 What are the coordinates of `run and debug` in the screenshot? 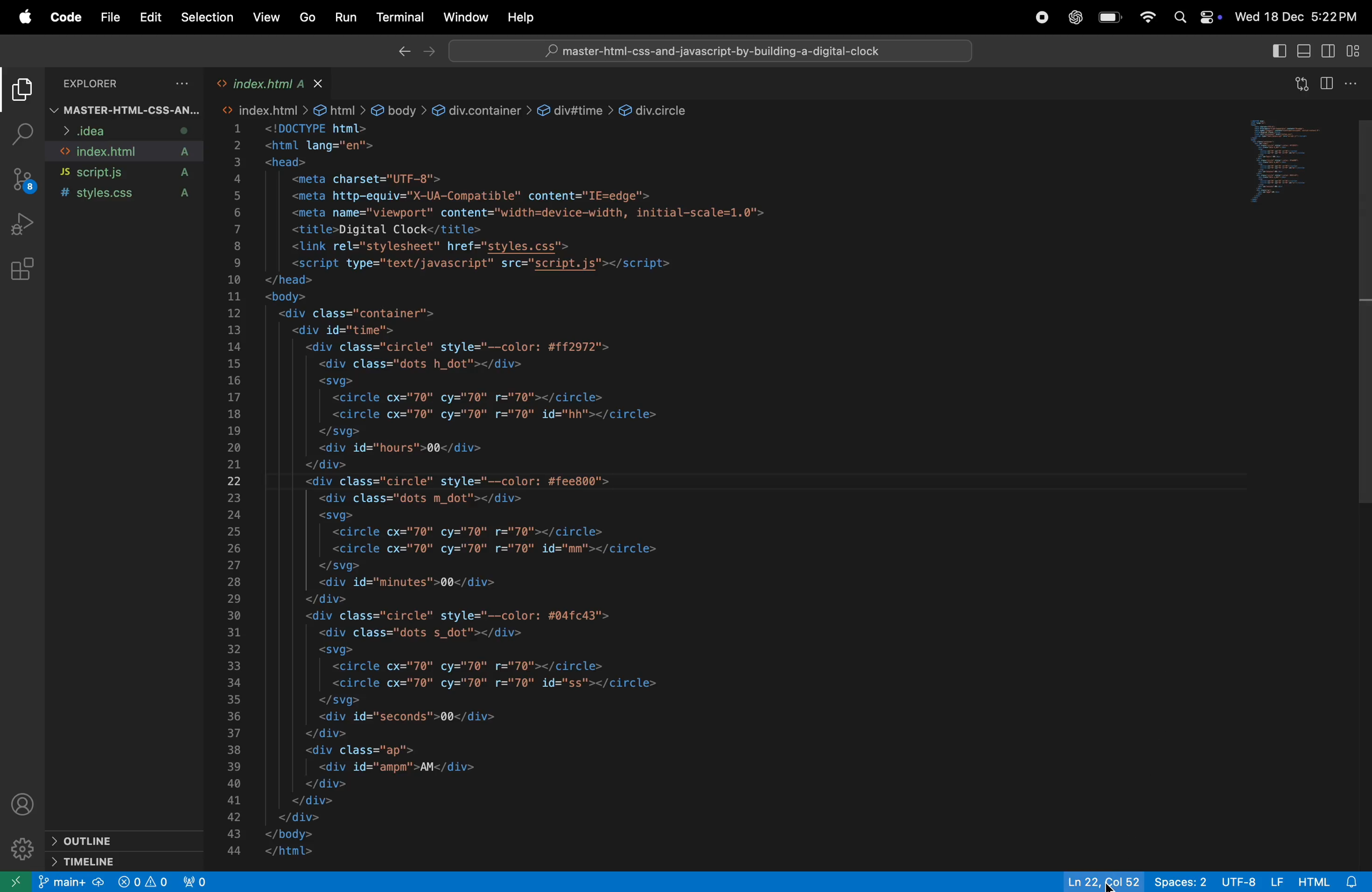 It's located at (24, 225).